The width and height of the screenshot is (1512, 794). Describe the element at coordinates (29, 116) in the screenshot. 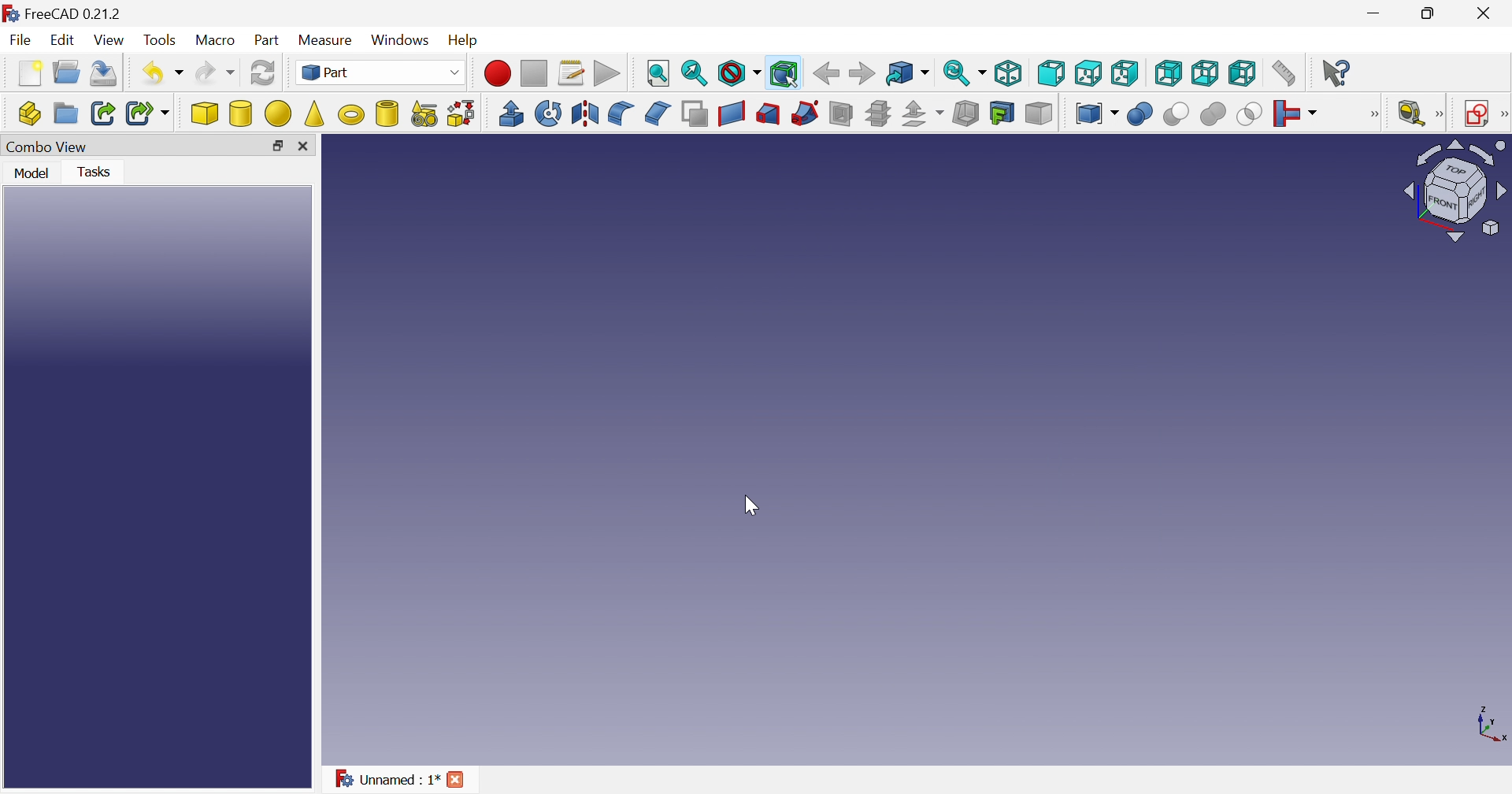

I see `Create part` at that location.